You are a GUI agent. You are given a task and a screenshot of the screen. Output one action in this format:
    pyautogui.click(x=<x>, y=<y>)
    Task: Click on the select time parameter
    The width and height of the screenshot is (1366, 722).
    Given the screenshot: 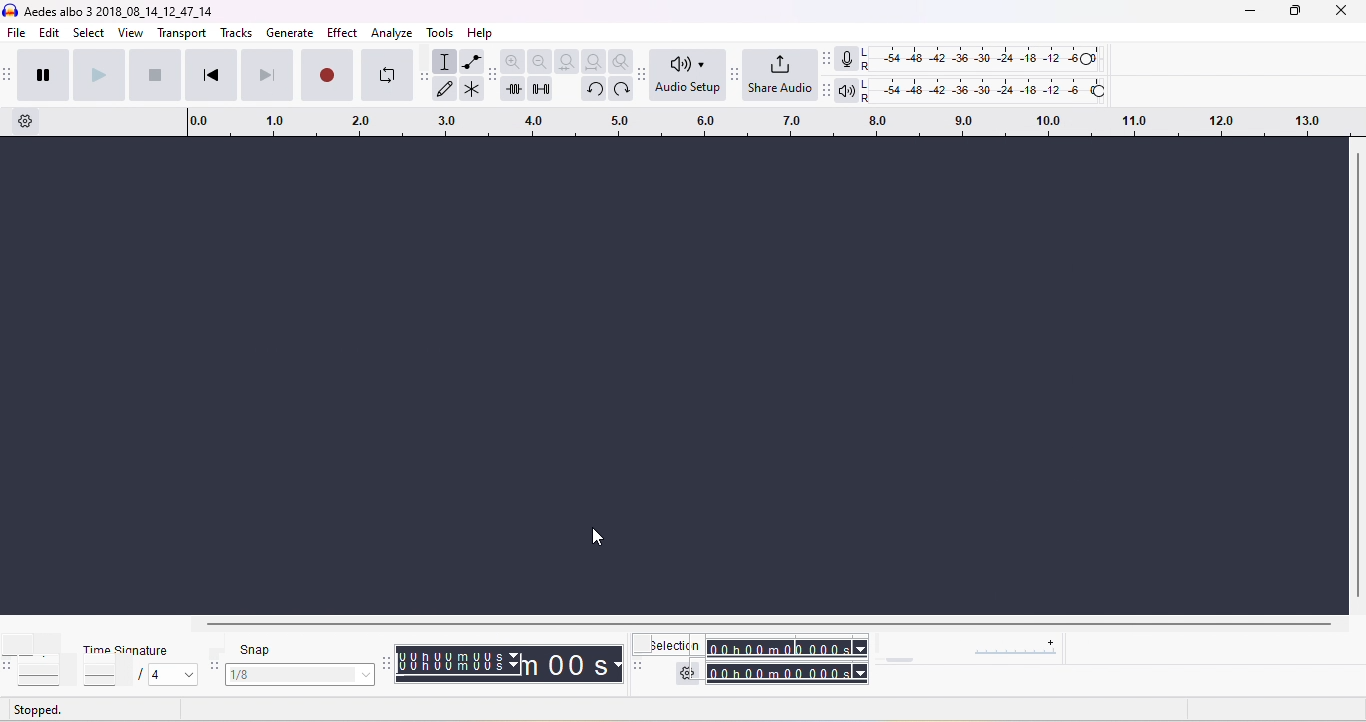 What is the action you would take?
    pyautogui.click(x=860, y=649)
    